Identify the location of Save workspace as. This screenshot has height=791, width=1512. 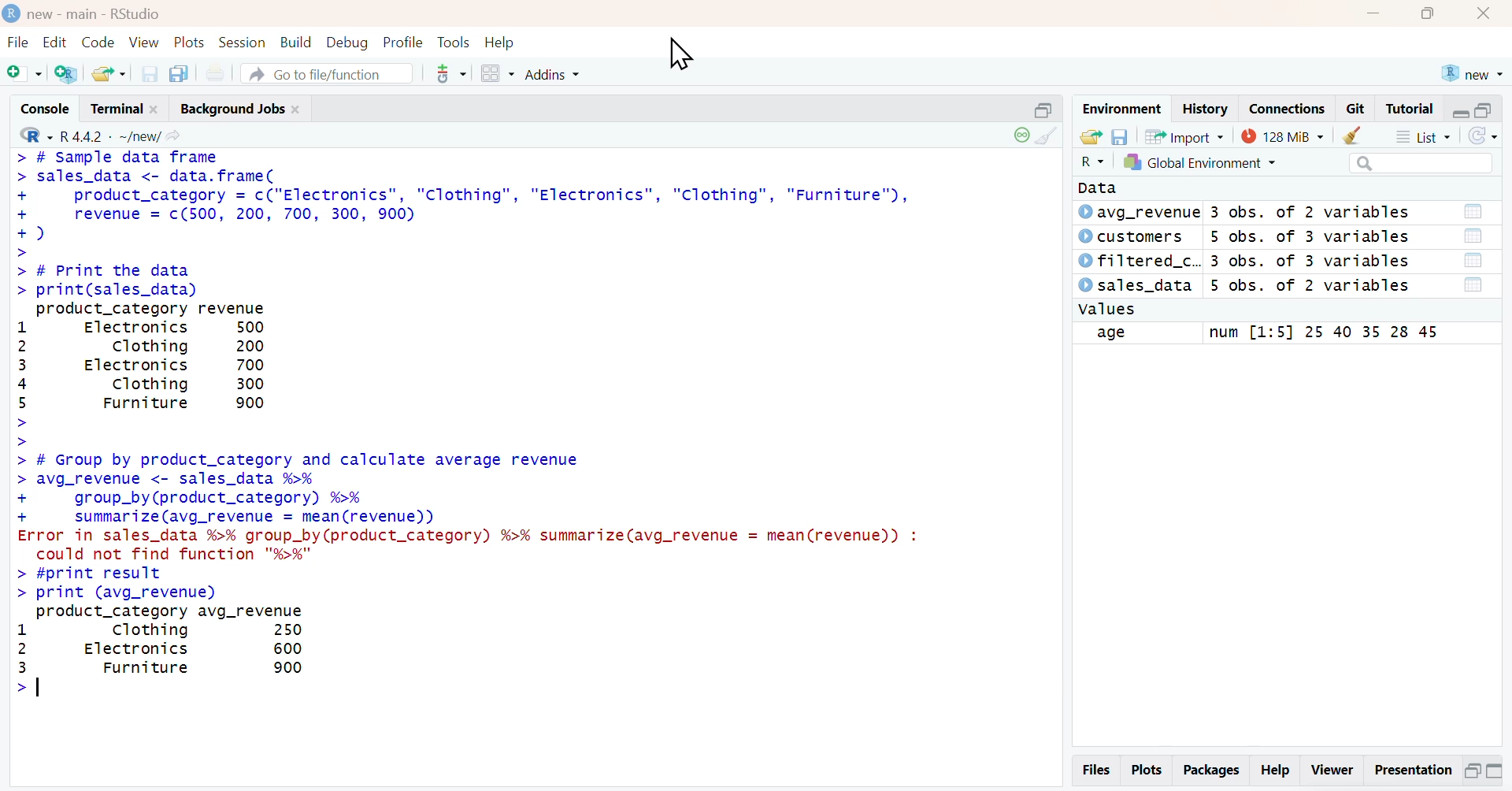
(1120, 137).